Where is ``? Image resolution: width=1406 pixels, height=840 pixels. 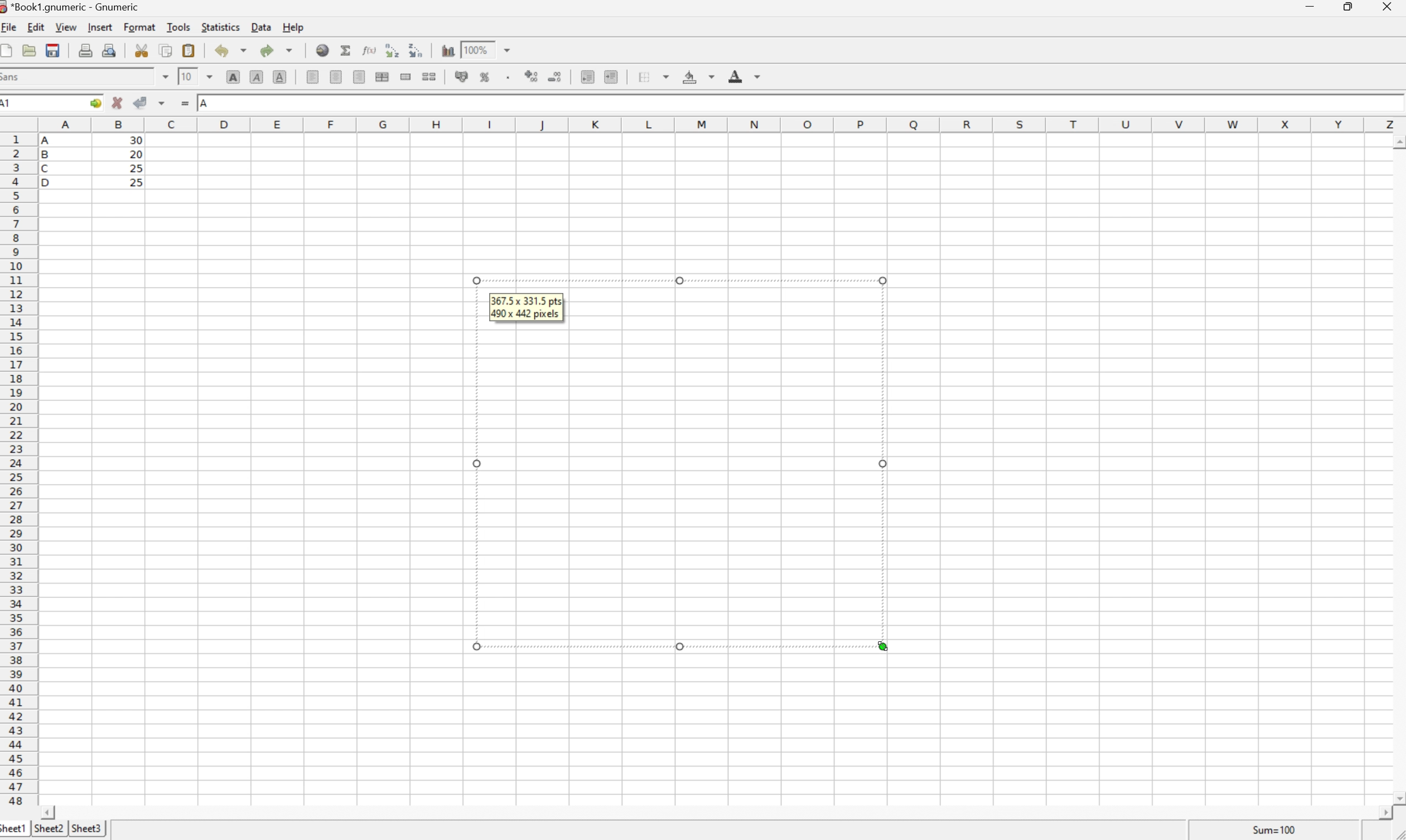  is located at coordinates (677, 641).